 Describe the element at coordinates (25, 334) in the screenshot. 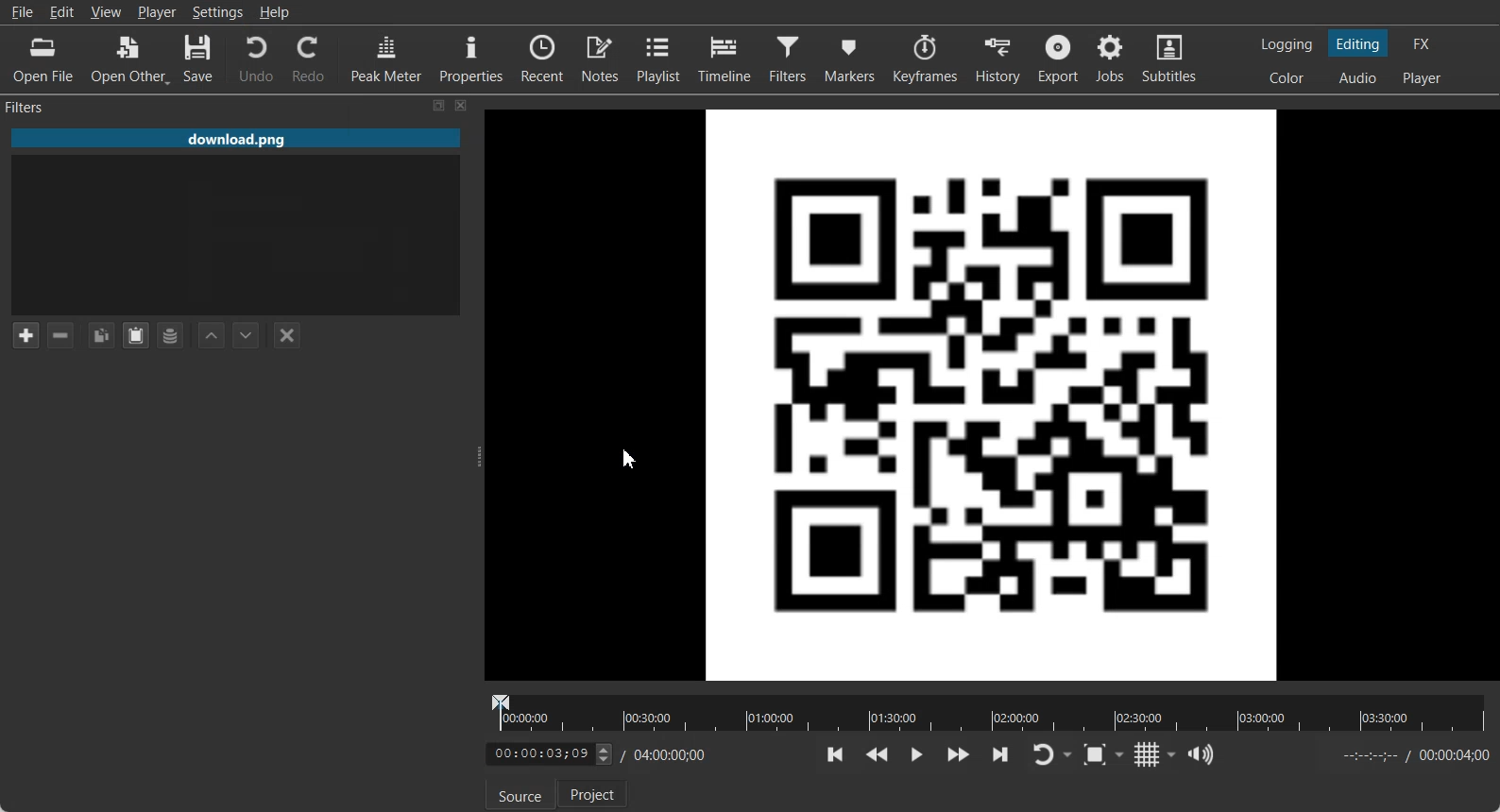

I see `Add Filter` at that location.